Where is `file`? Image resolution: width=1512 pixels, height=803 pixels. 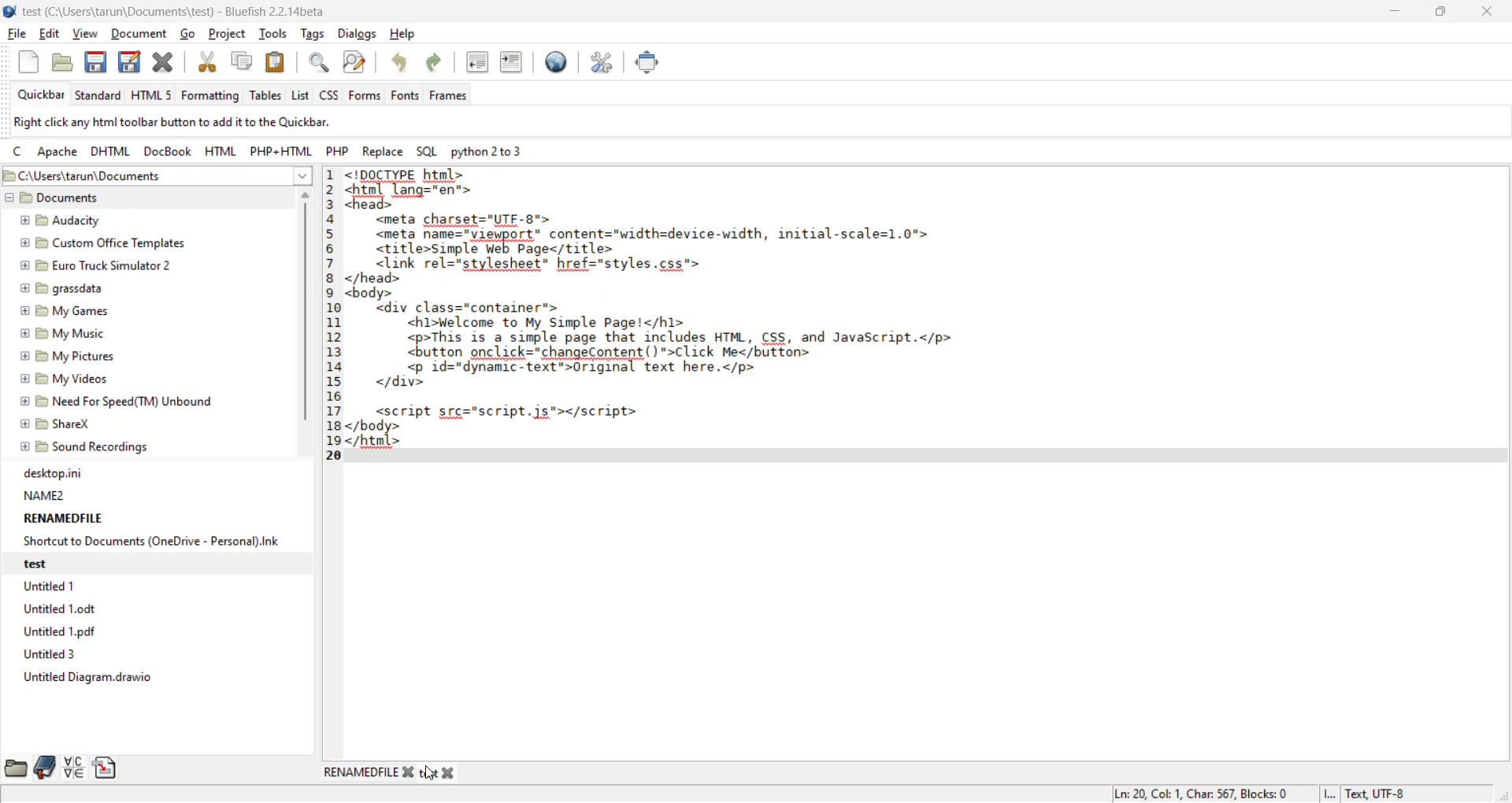 file is located at coordinates (15, 34).